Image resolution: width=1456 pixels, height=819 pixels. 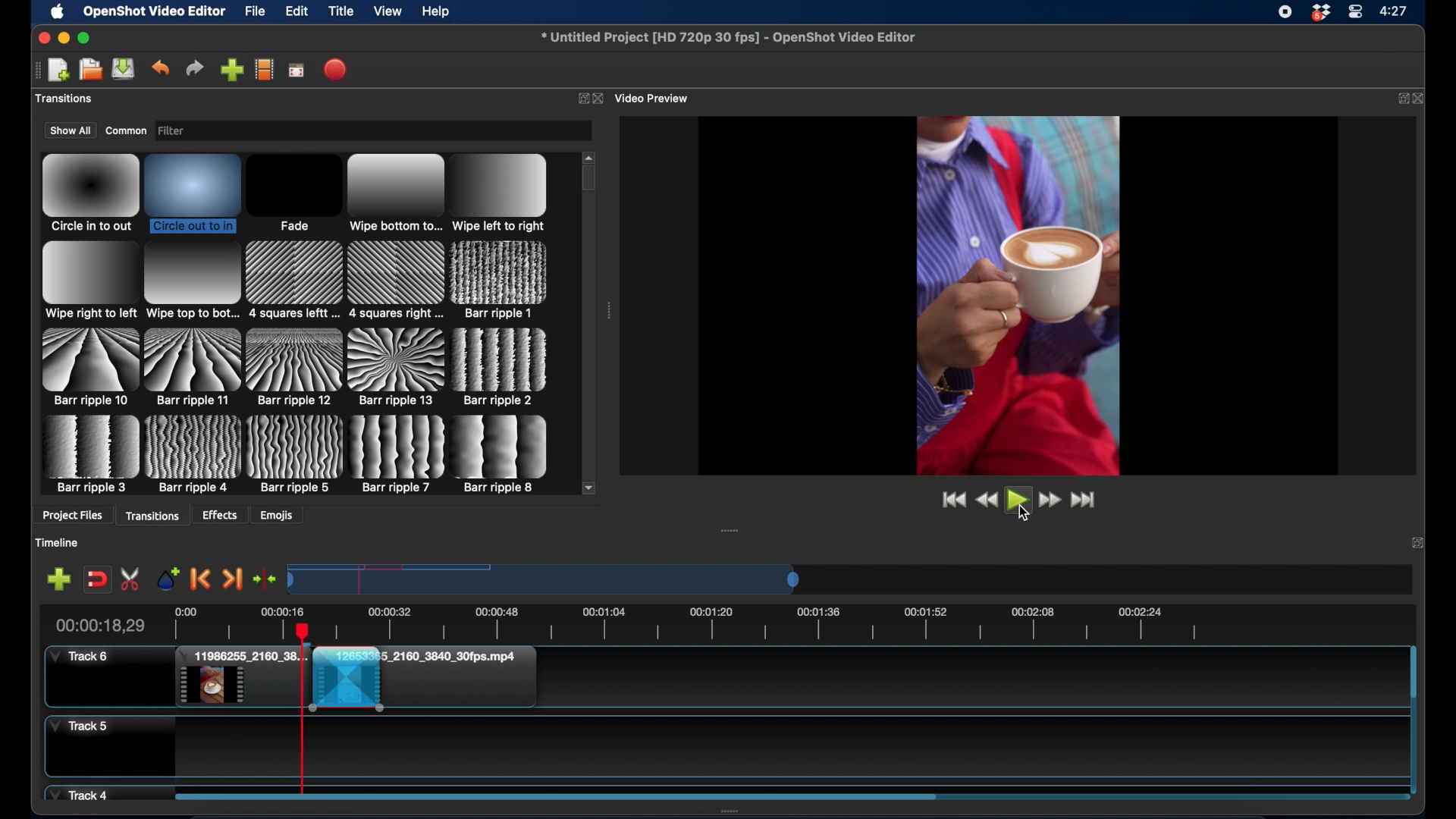 I want to click on common, so click(x=126, y=130).